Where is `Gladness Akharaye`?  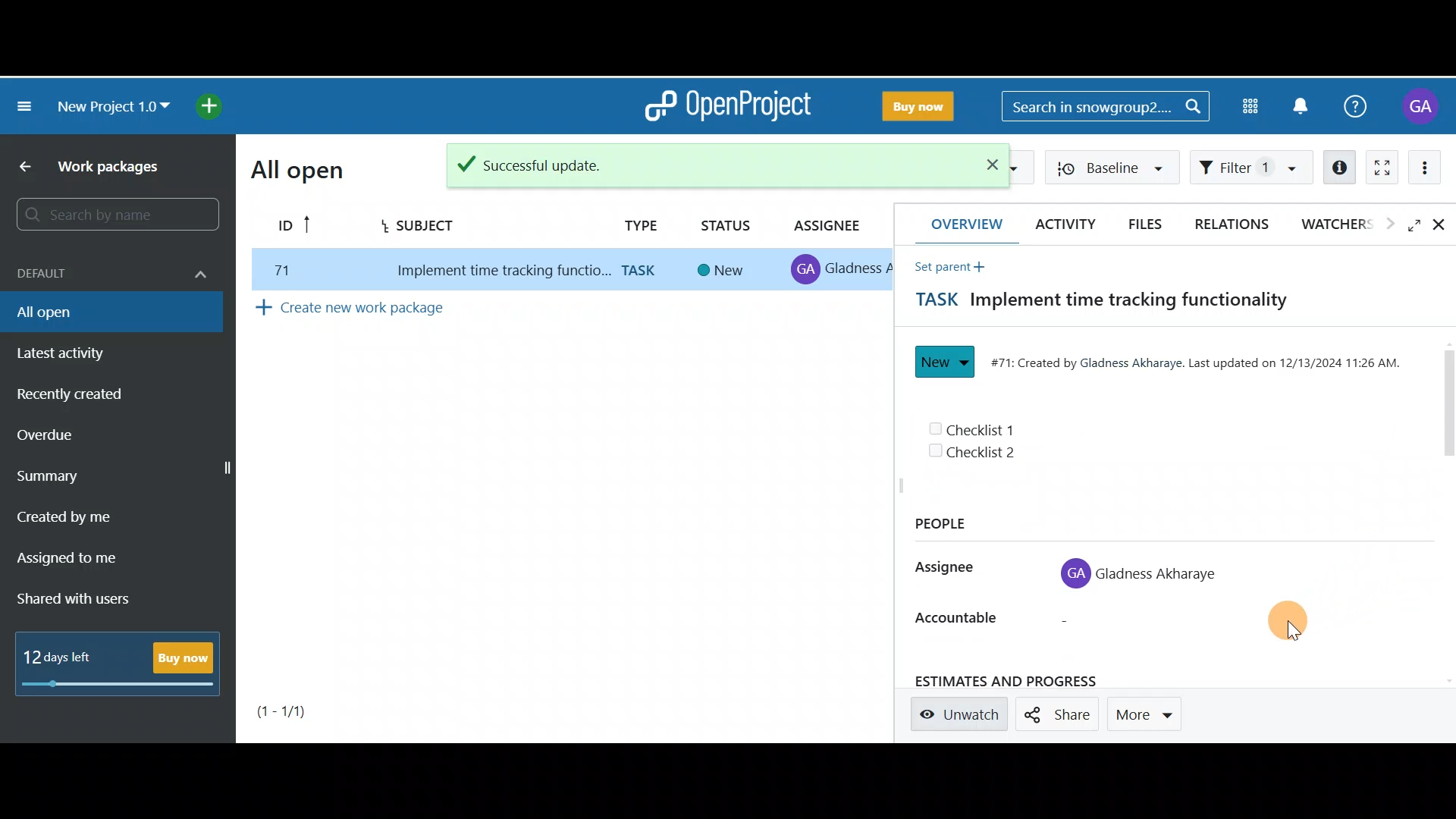
Gladness Akharaye is located at coordinates (1160, 575).